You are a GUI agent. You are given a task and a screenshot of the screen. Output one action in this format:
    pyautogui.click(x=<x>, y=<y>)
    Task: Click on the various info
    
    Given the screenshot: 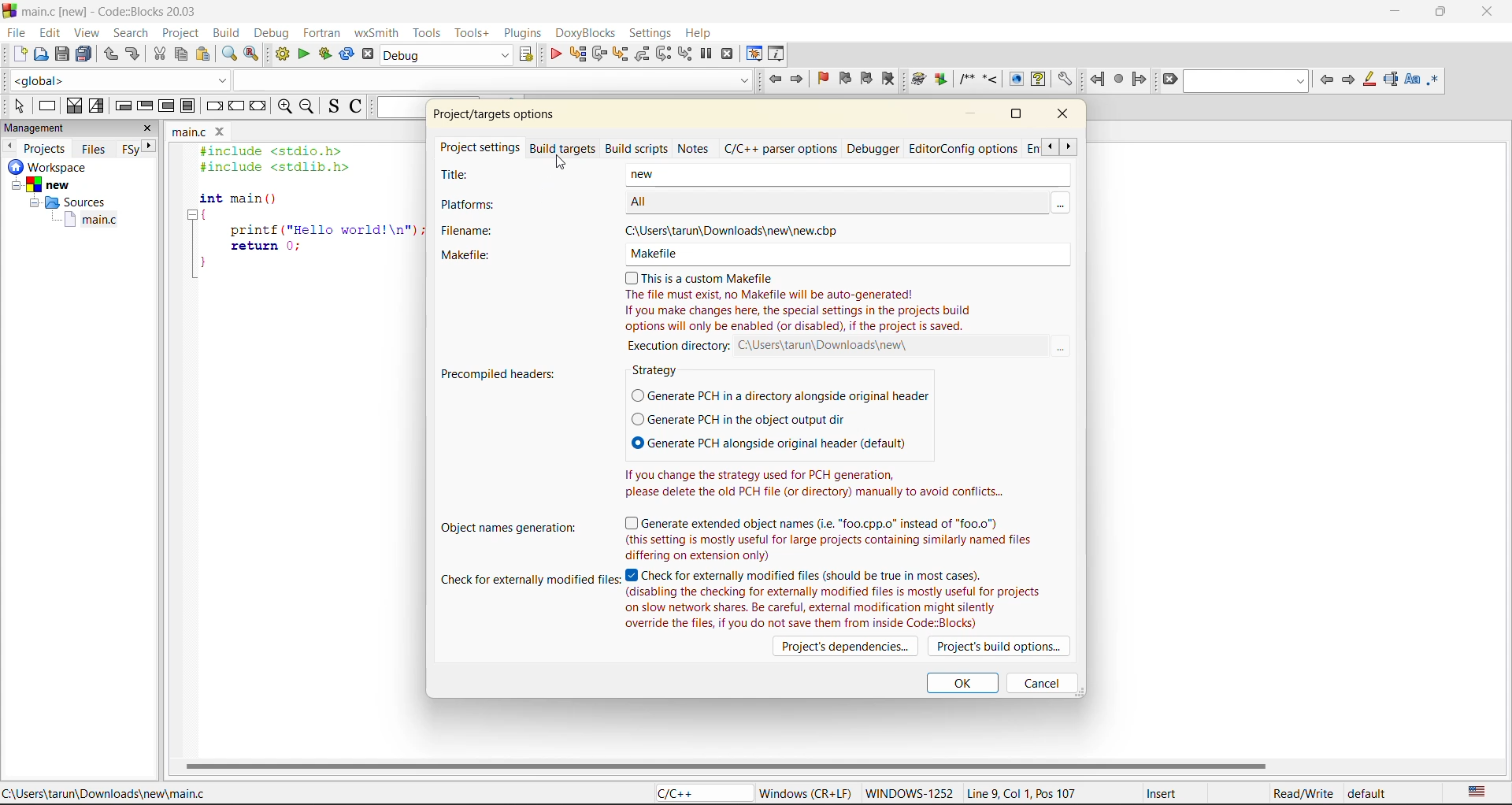 What is the action you would take?
    pyautogui.click(x=777, y=54)
    